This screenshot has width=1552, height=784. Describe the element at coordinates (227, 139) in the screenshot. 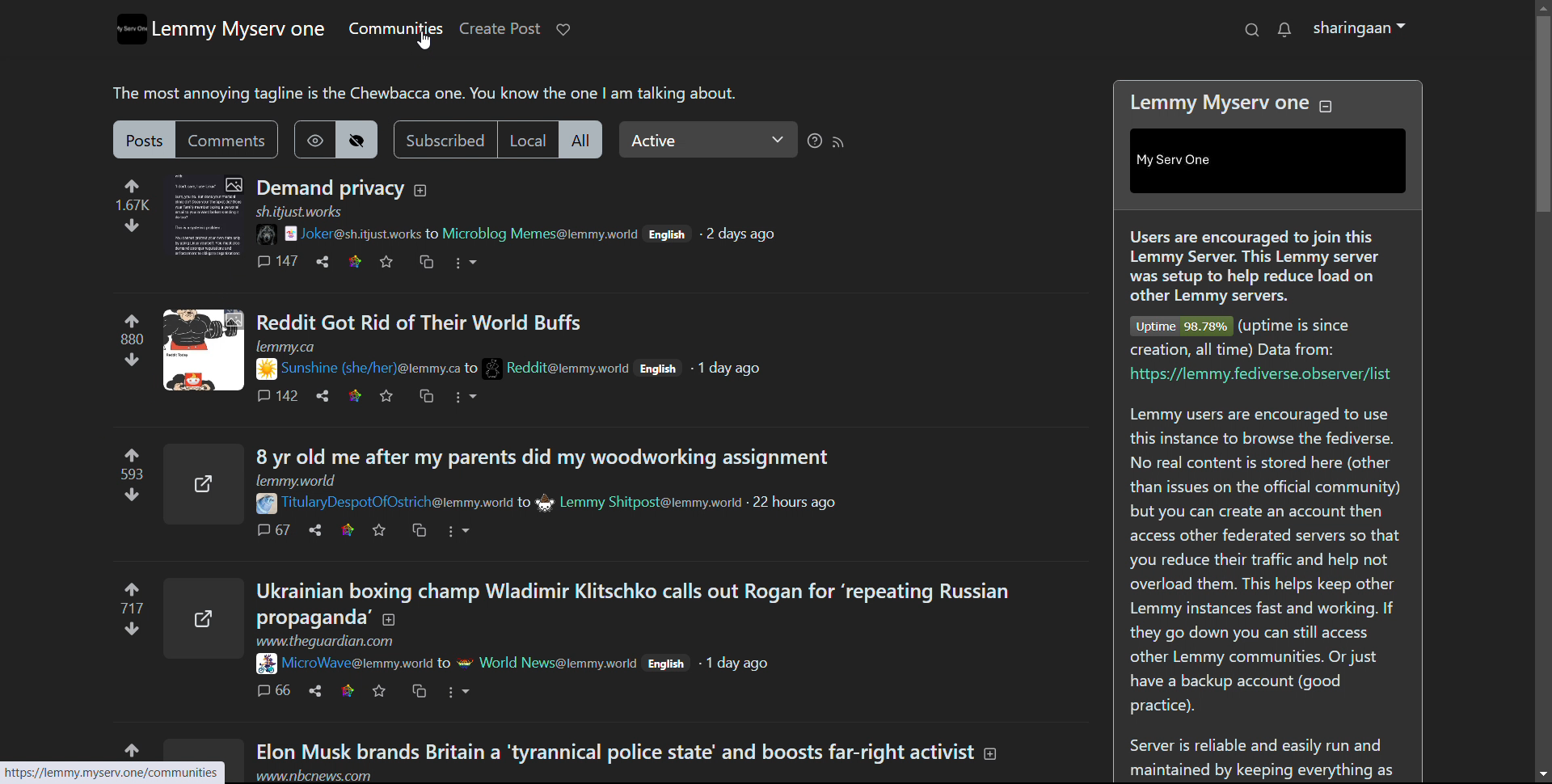

I see `comments` at that location.